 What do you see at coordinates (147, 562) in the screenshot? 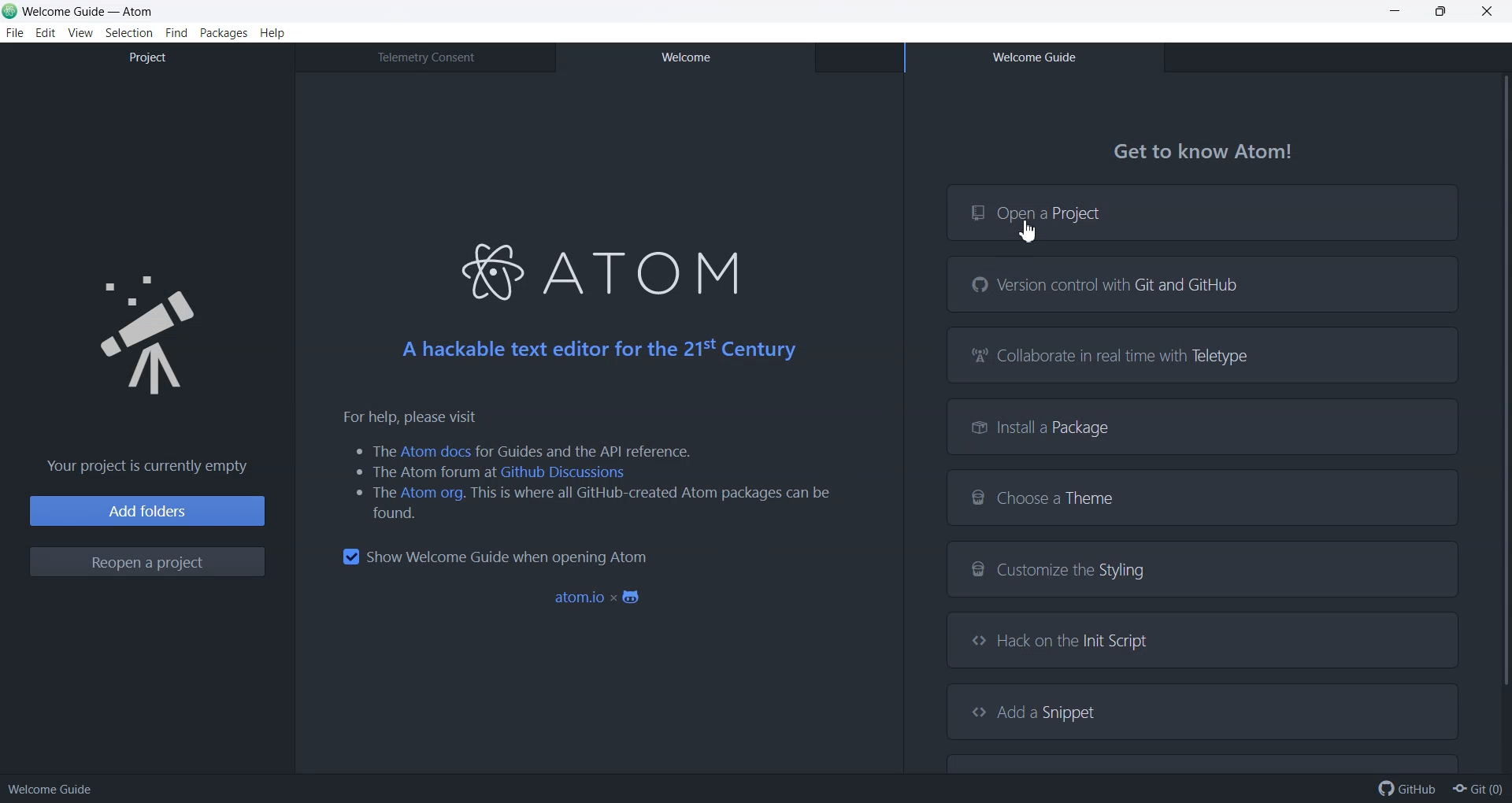
I see `Reopen a project` at bounding box center [147, 562].